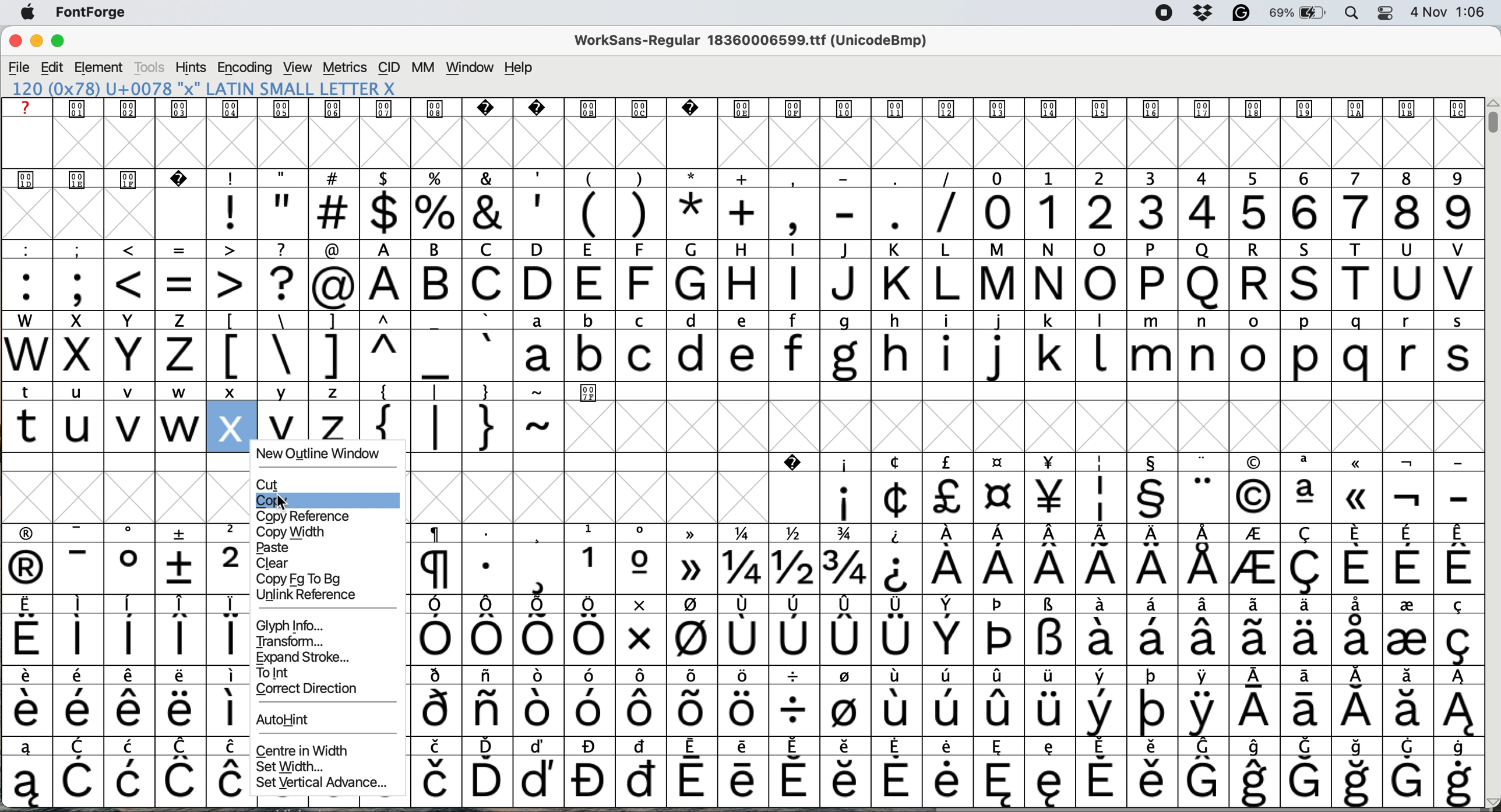  Describe the element at coordinates (231, 426) in the screenshot. I see `lower case x chosen` at that location.